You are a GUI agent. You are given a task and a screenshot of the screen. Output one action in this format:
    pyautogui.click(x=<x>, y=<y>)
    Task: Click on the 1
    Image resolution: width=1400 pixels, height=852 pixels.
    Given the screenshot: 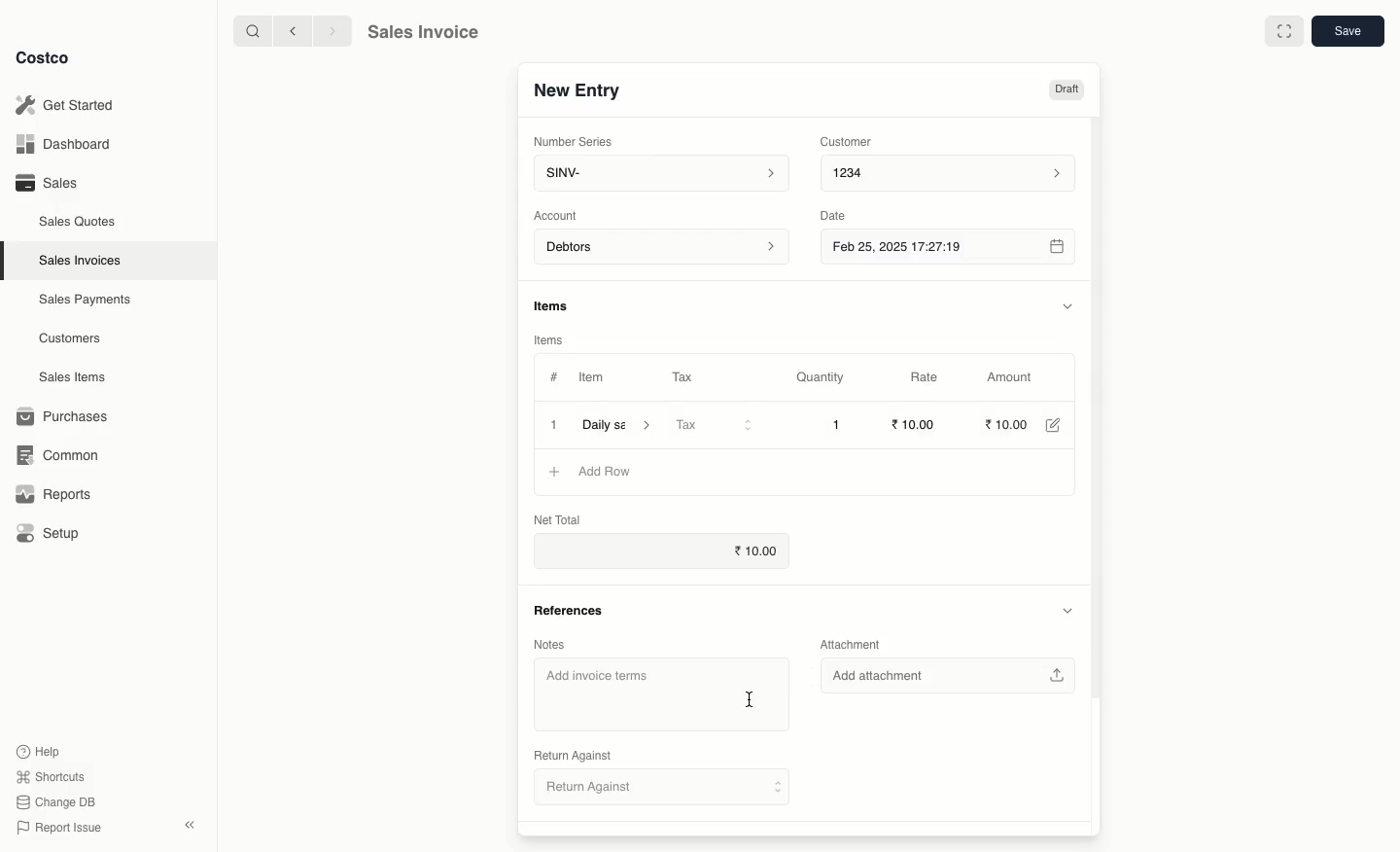 What is the action you would take?
    pyautogui.click(x=838, y=425)
    